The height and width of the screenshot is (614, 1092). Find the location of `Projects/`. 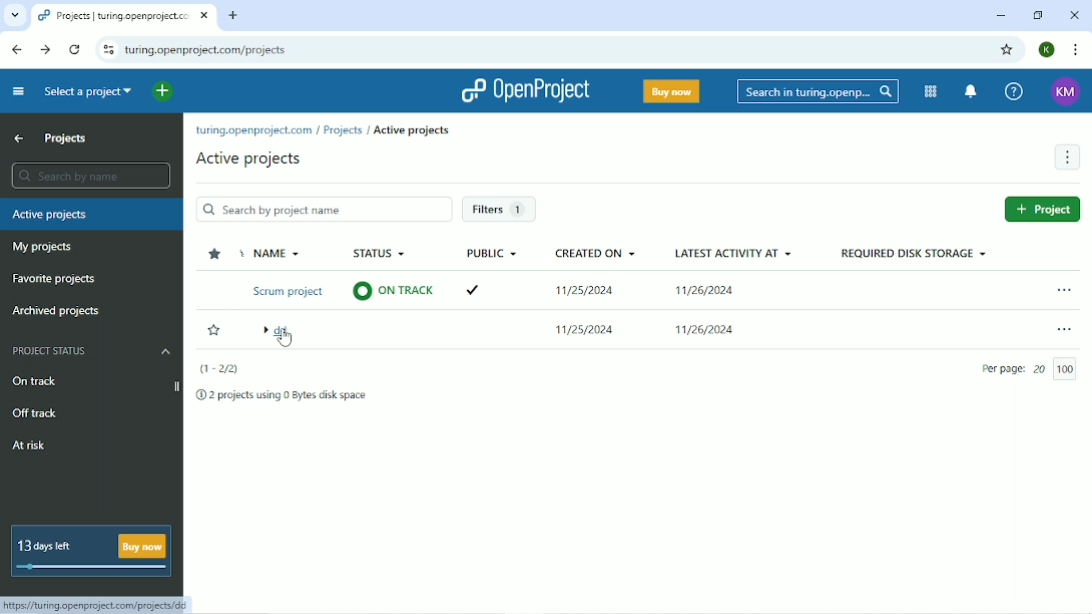

Projects/ is located at coordinates (344, 131).